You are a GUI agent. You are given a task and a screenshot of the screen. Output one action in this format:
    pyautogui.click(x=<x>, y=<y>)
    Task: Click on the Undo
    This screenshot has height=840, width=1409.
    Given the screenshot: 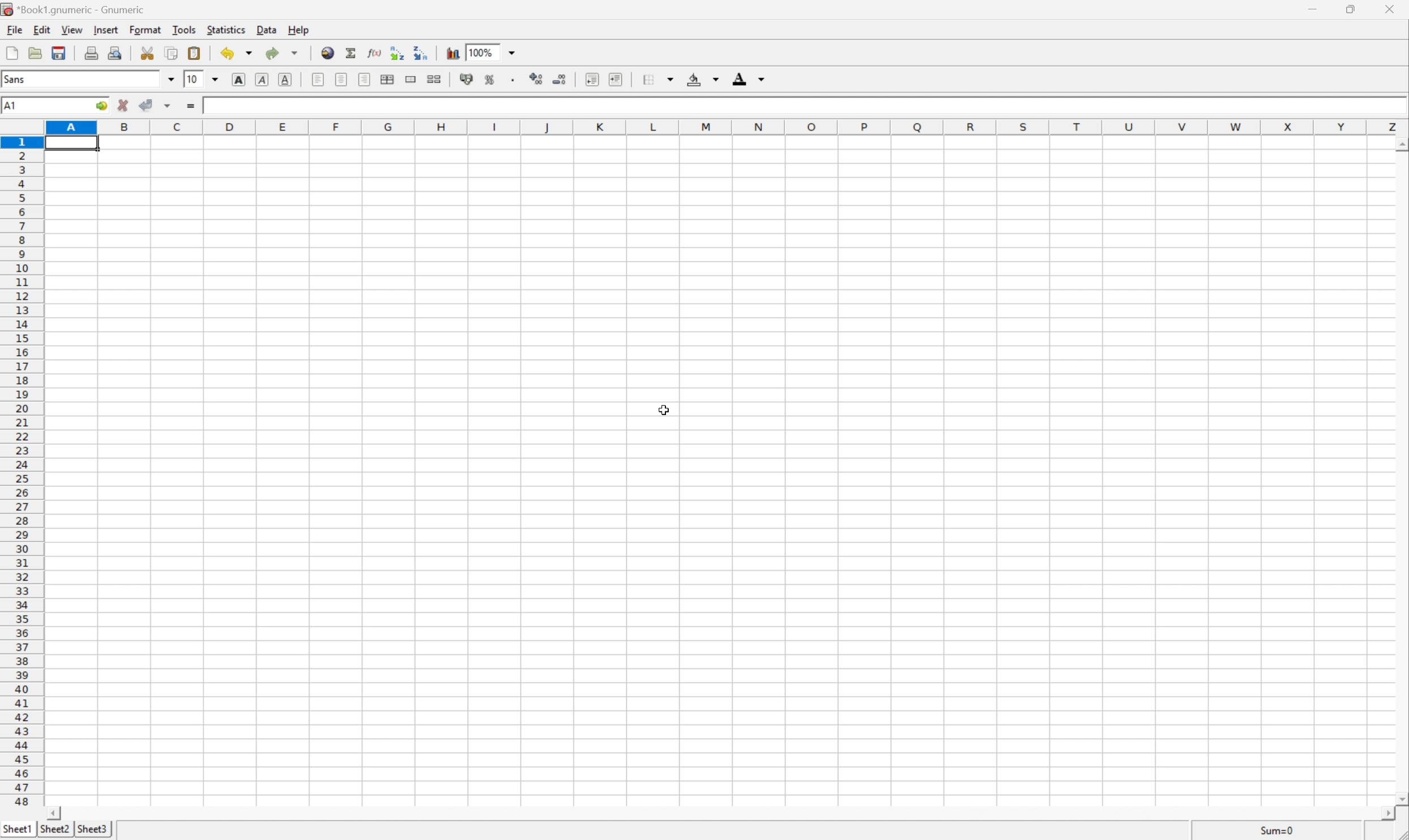 What is the action you would take?
    pyautogui.click(x=234, y=53)
    